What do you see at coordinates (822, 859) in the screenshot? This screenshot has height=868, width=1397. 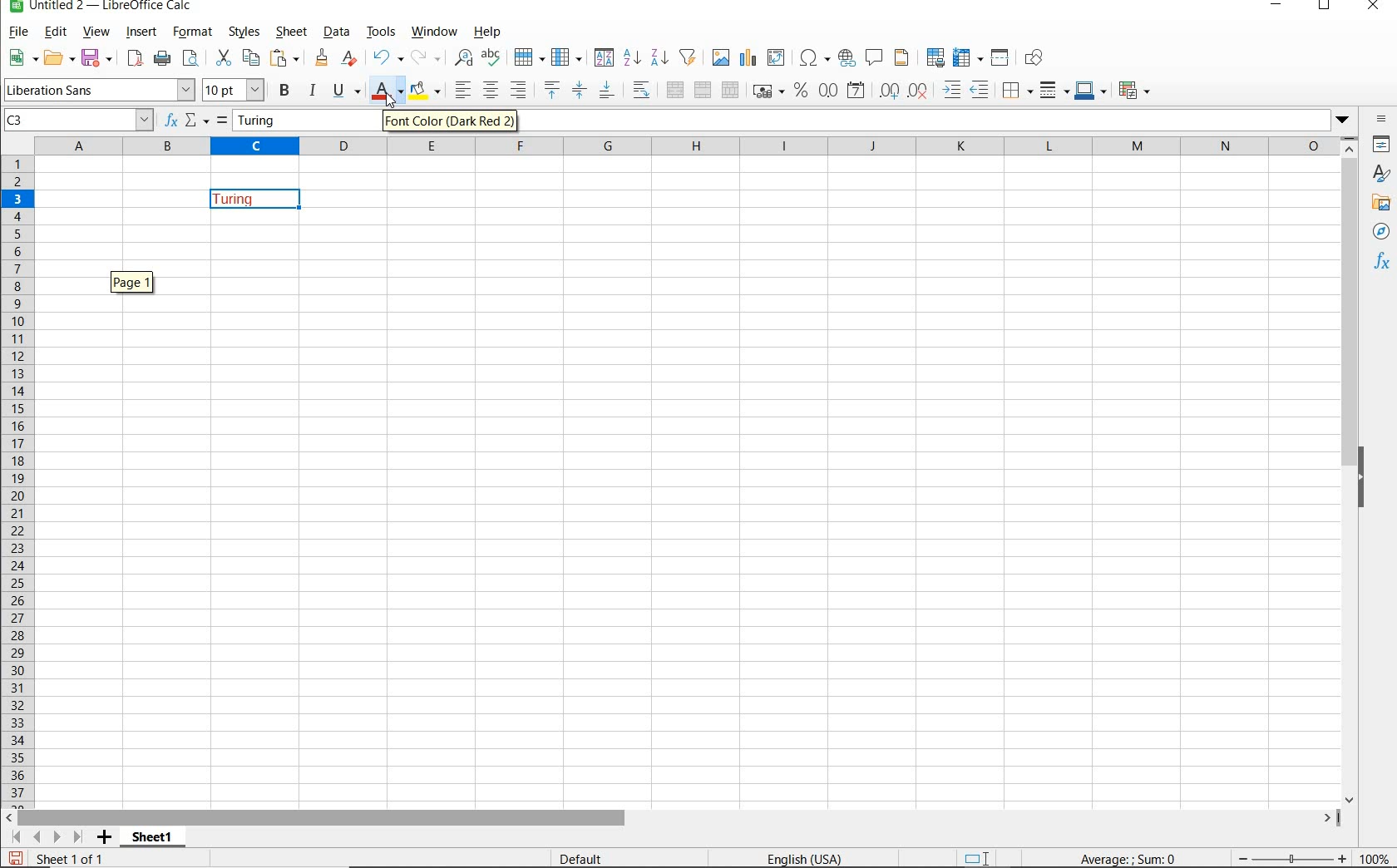 I see `TEXT LANGUAGE` at bounding box center [822, 859].